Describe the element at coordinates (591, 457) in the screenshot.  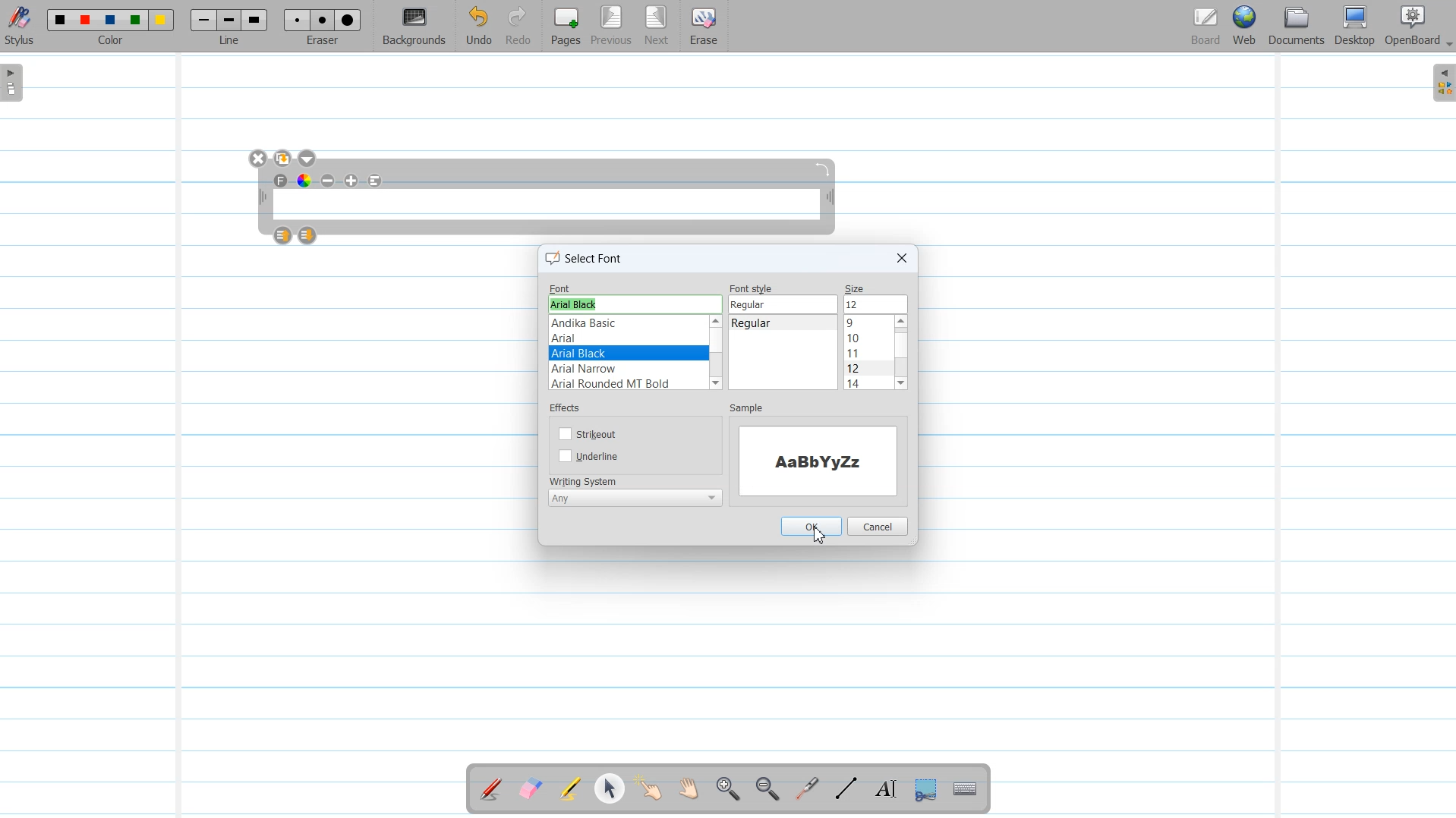
I see `Underline` at that location.